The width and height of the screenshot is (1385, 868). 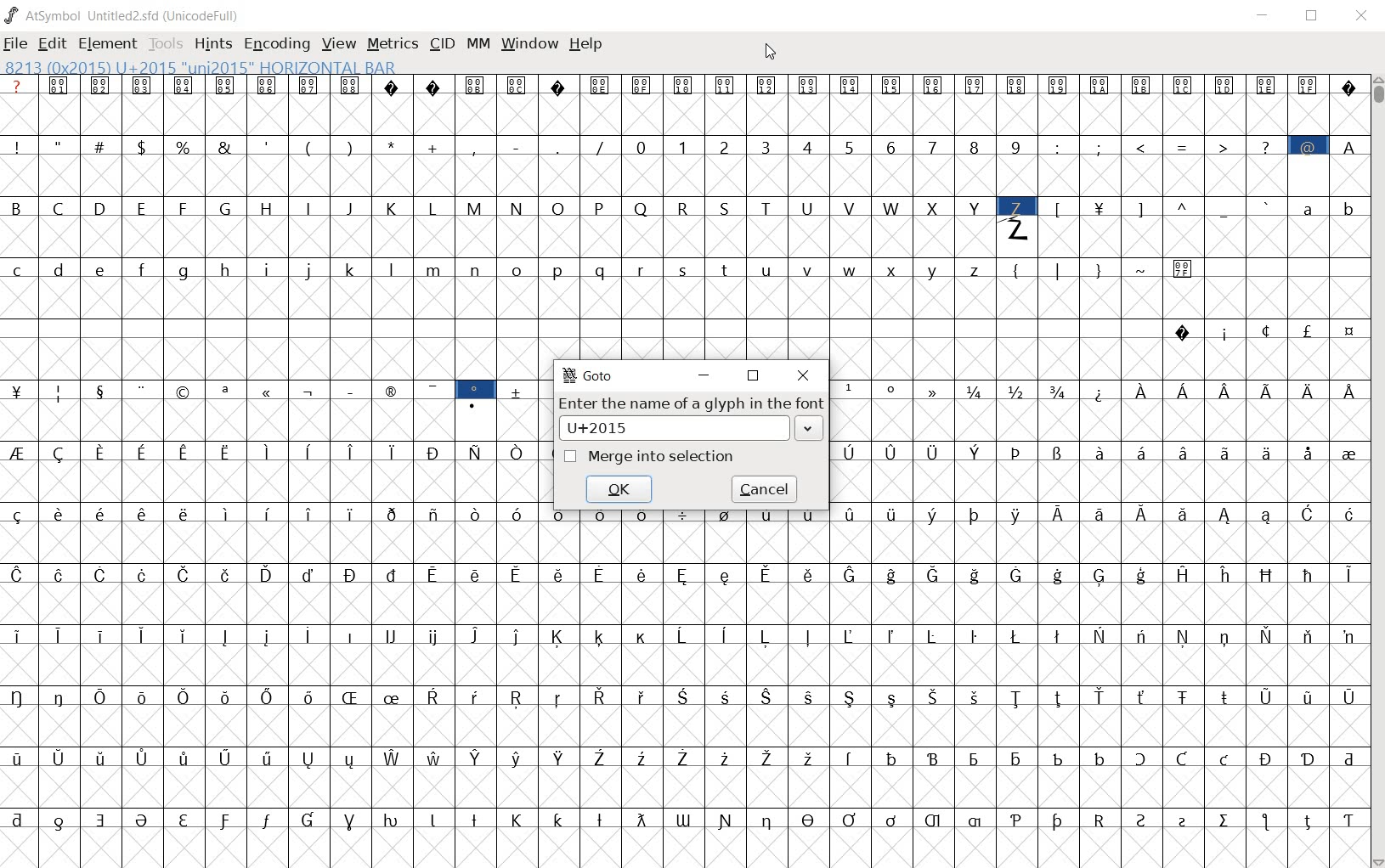 I want to click on OK, so click(x=620, y=489).